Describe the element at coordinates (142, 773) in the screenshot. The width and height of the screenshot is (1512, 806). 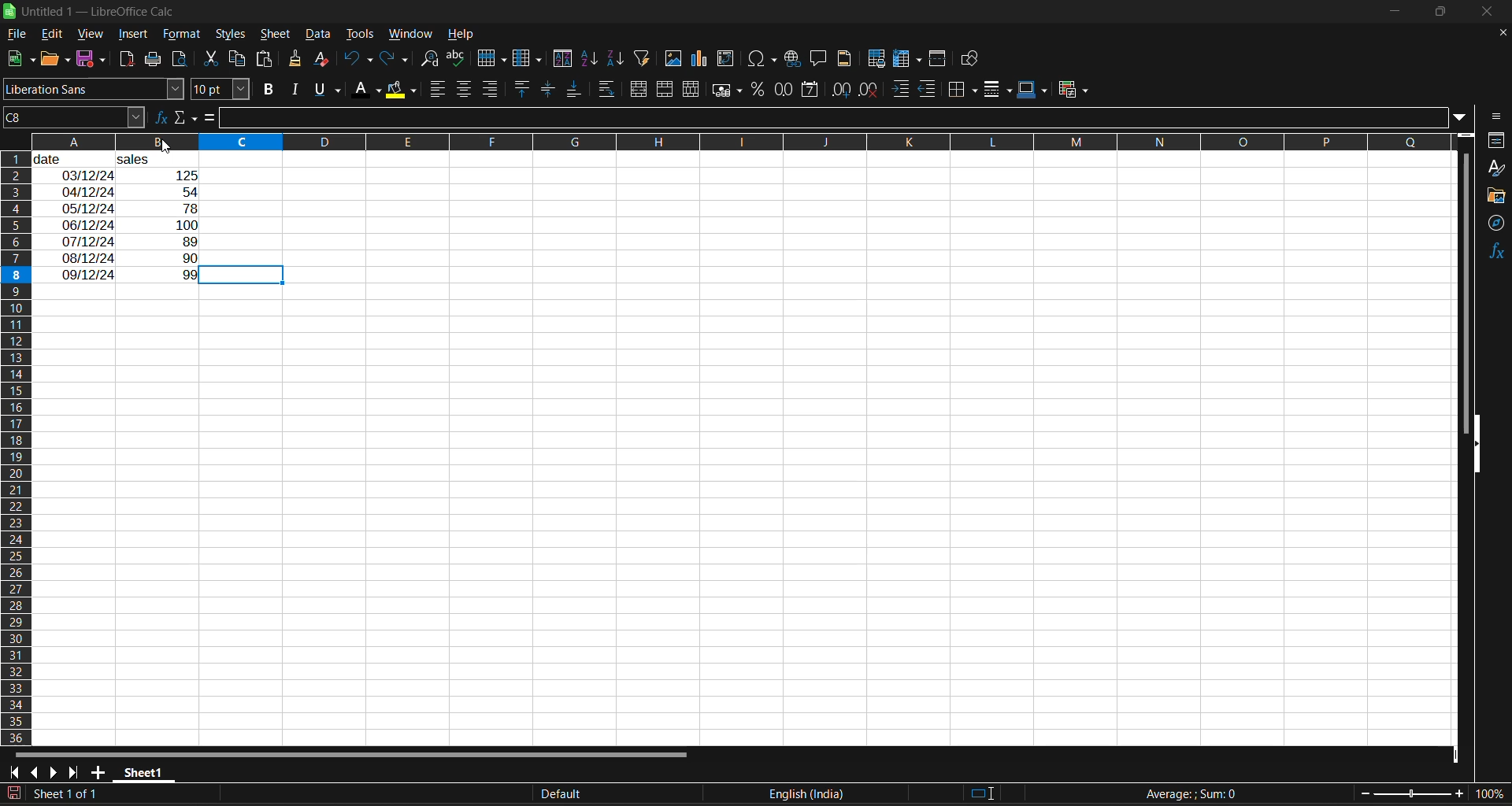
I see `sheet name` at that location.